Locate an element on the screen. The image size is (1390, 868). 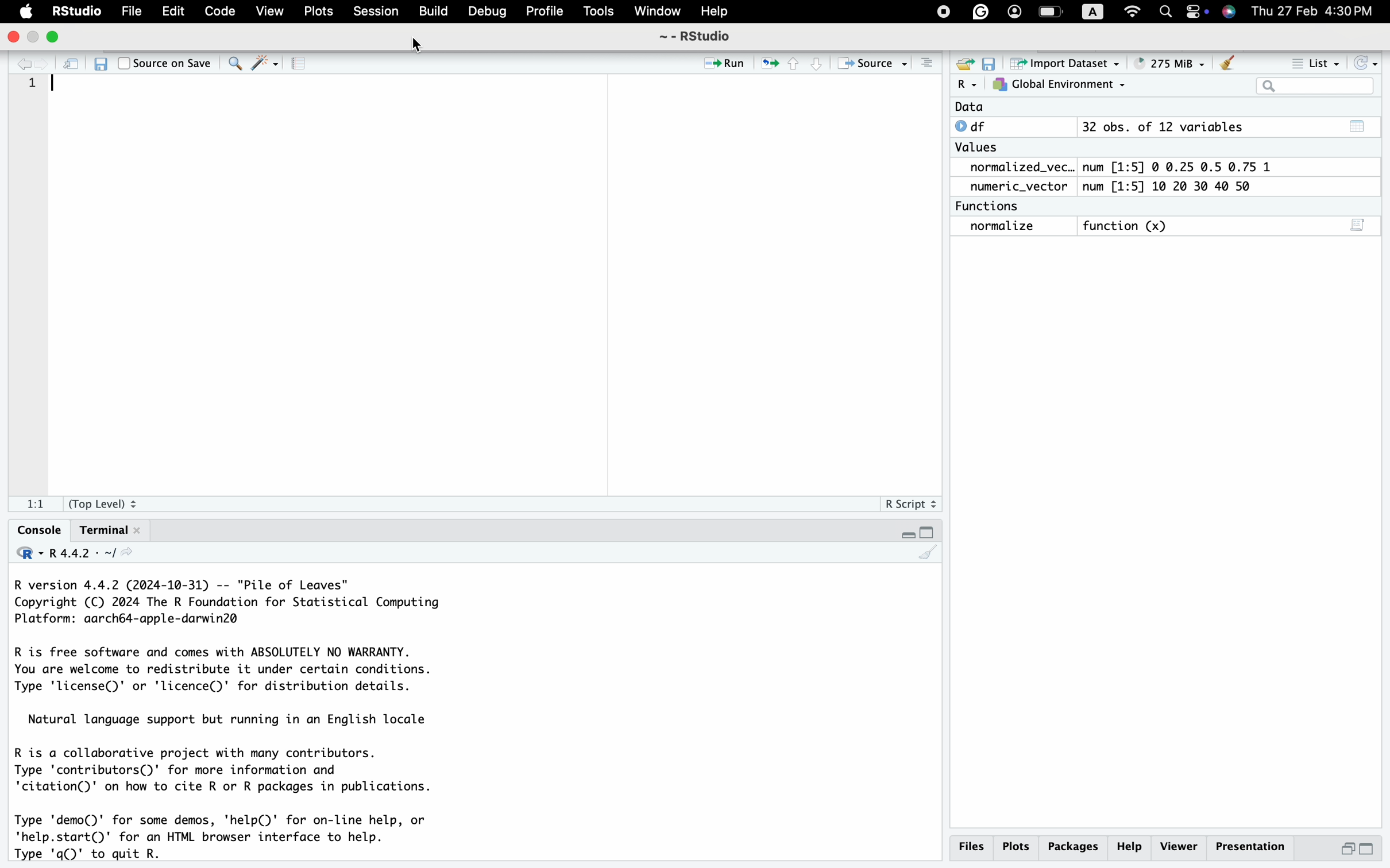
files is located at coordinates (971, 846).